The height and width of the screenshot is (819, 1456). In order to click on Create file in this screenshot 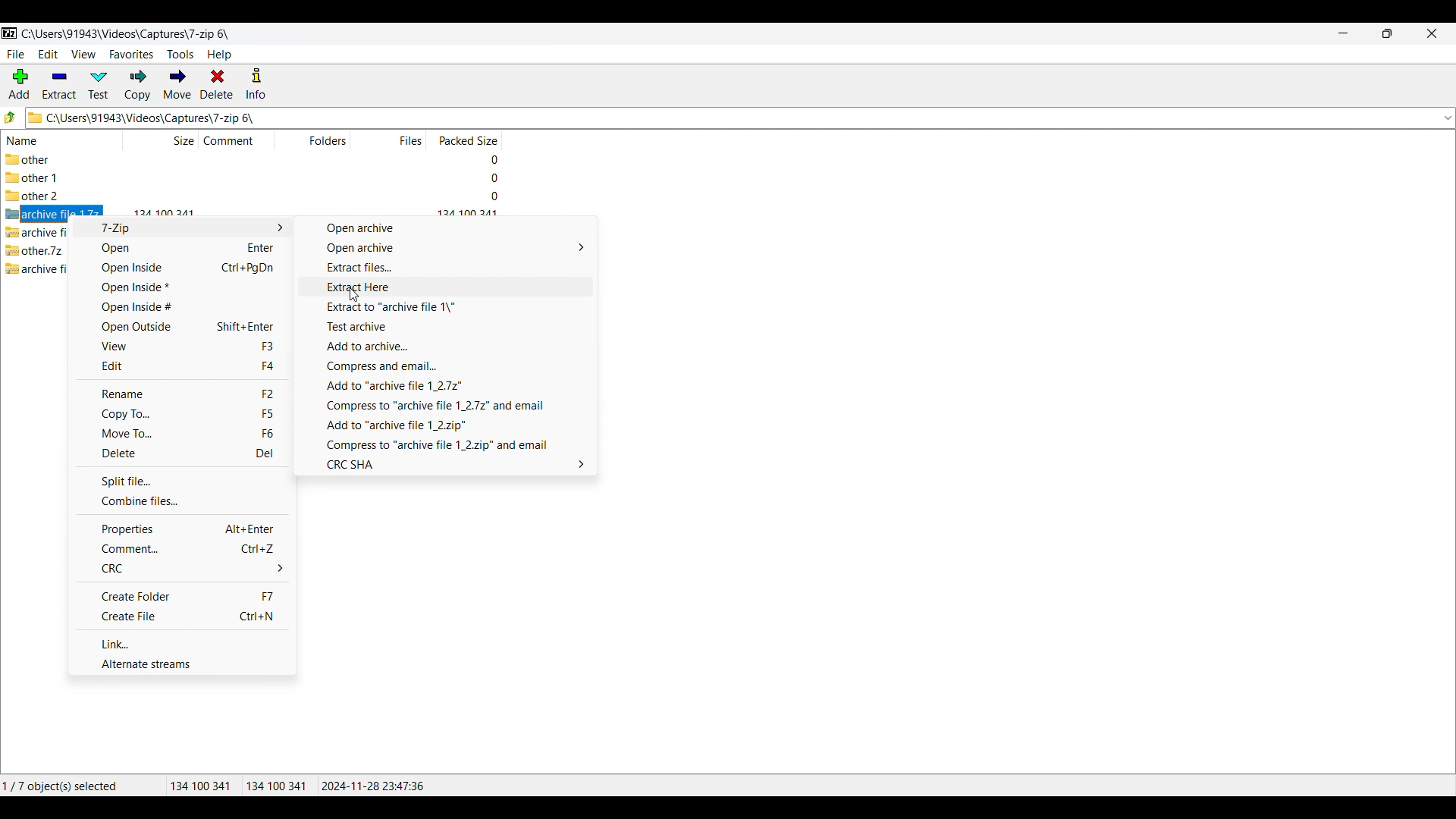, I will do `click(183, 617)`.